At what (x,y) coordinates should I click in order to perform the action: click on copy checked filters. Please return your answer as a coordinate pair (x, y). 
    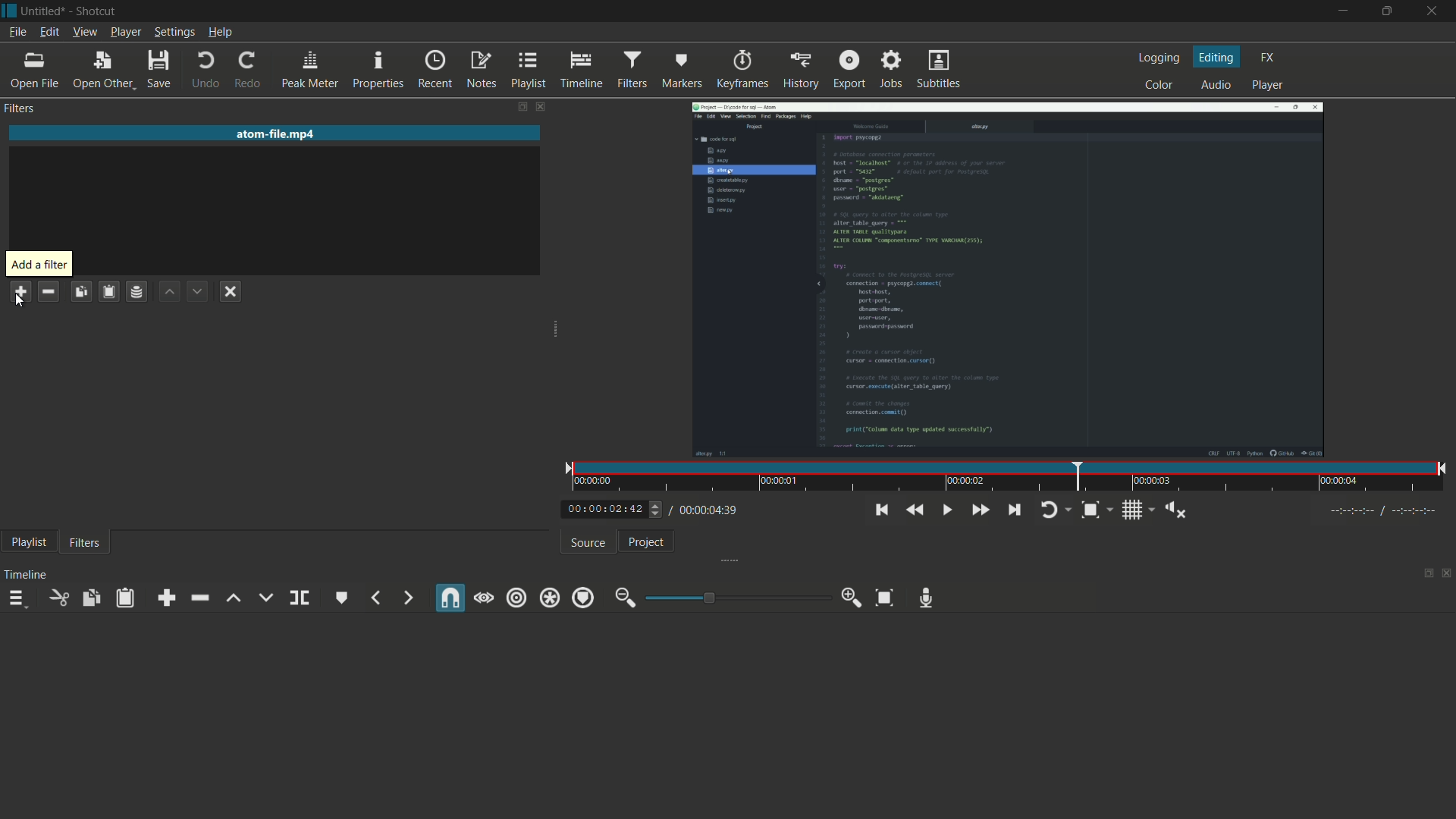
    Looking at the image, I should click on (81, 292).